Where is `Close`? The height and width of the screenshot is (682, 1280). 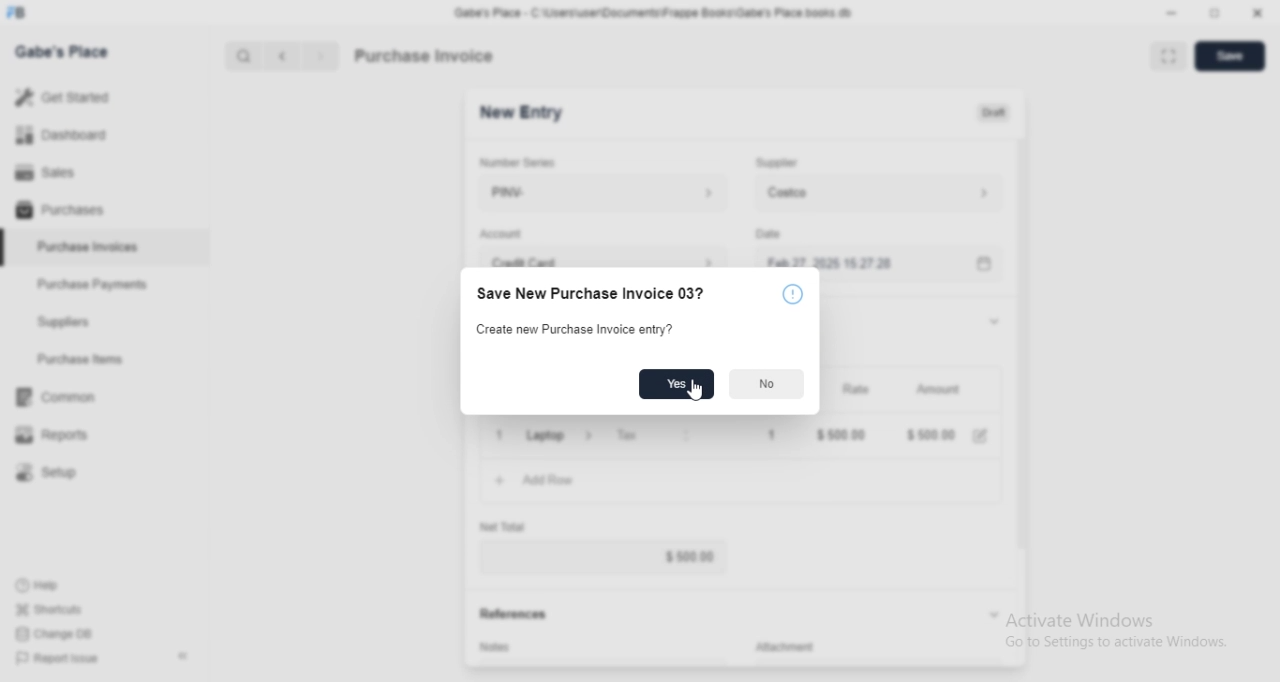 Close is located at coordinates (500, 435).